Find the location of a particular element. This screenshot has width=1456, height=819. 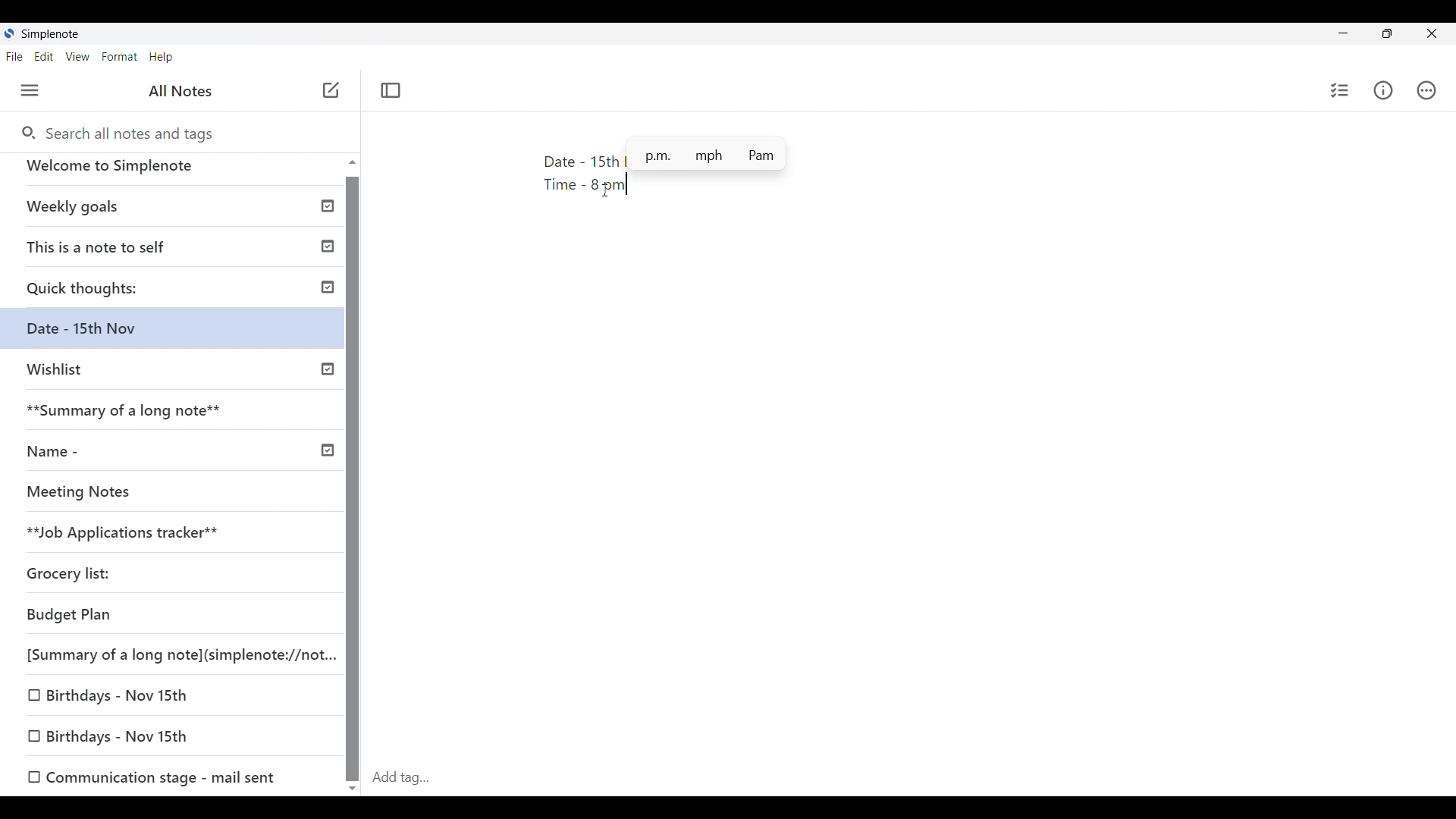

Help menu is located at coordinates (162, 57).